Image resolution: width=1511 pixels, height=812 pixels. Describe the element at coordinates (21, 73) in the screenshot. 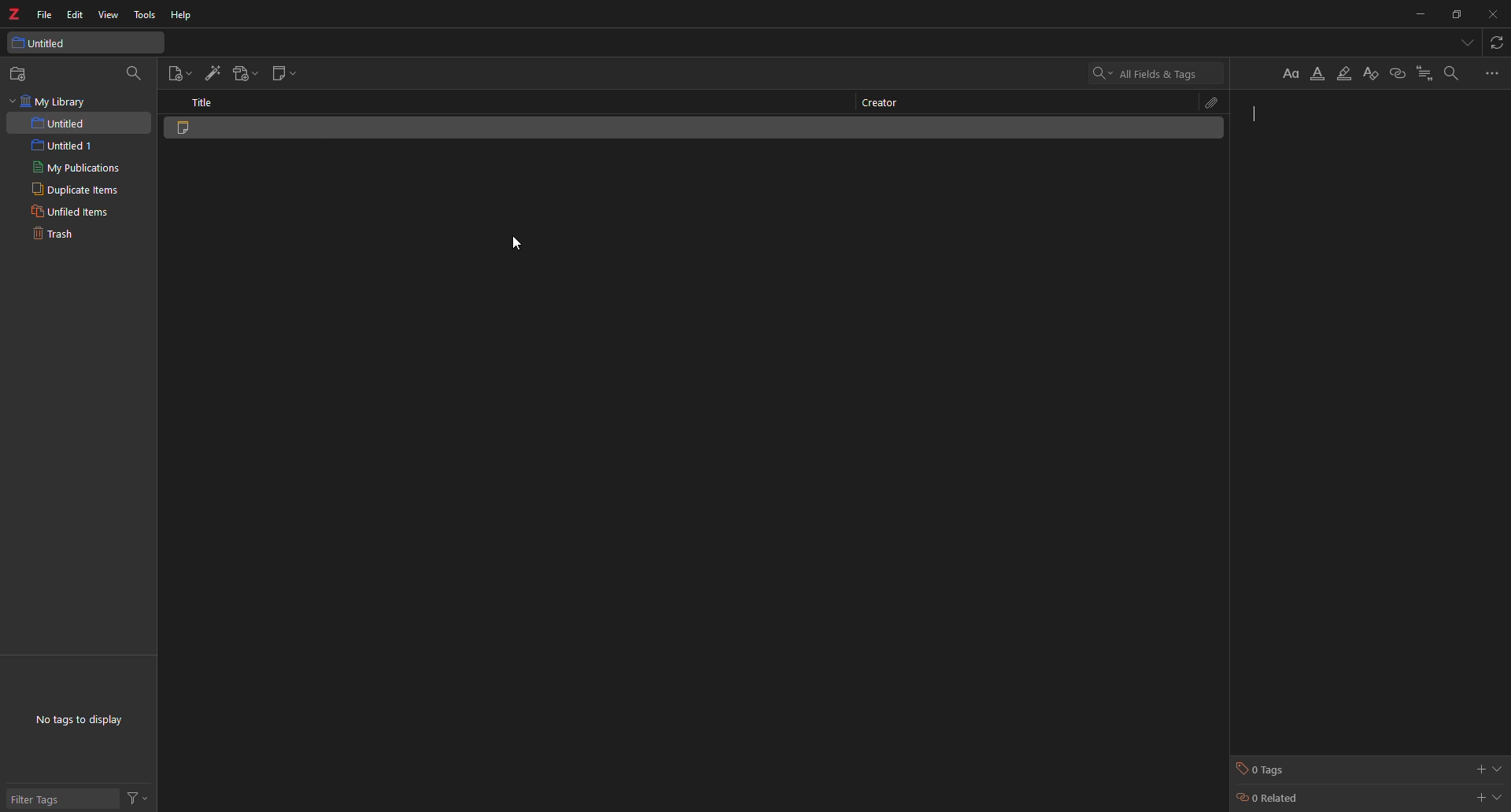

I see `new collection` at that location.